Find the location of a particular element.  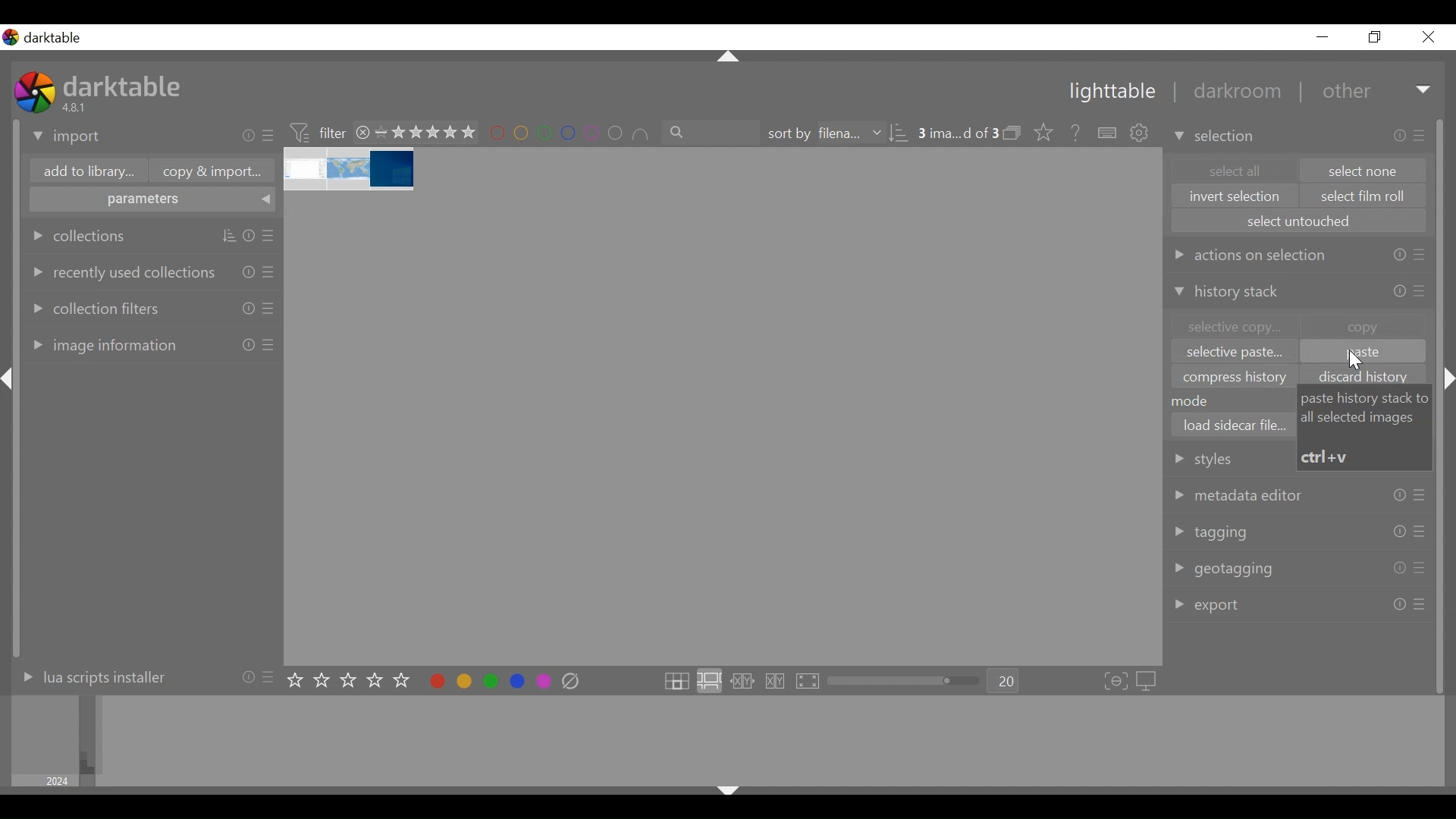

paste is located at coordinates (1362, 353).